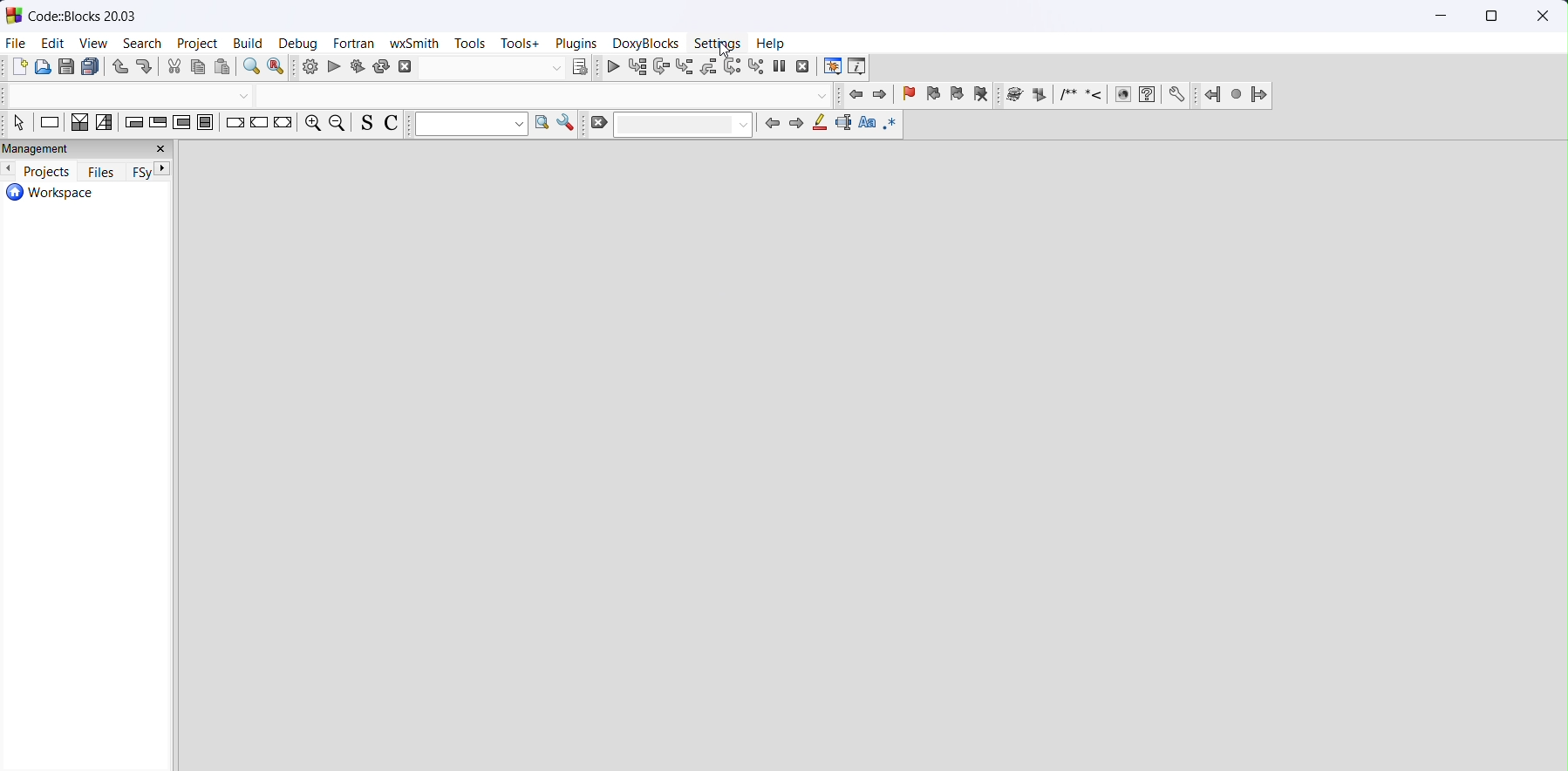 The image size is (1568, 771). I want to click on settings, so click(719, 43).